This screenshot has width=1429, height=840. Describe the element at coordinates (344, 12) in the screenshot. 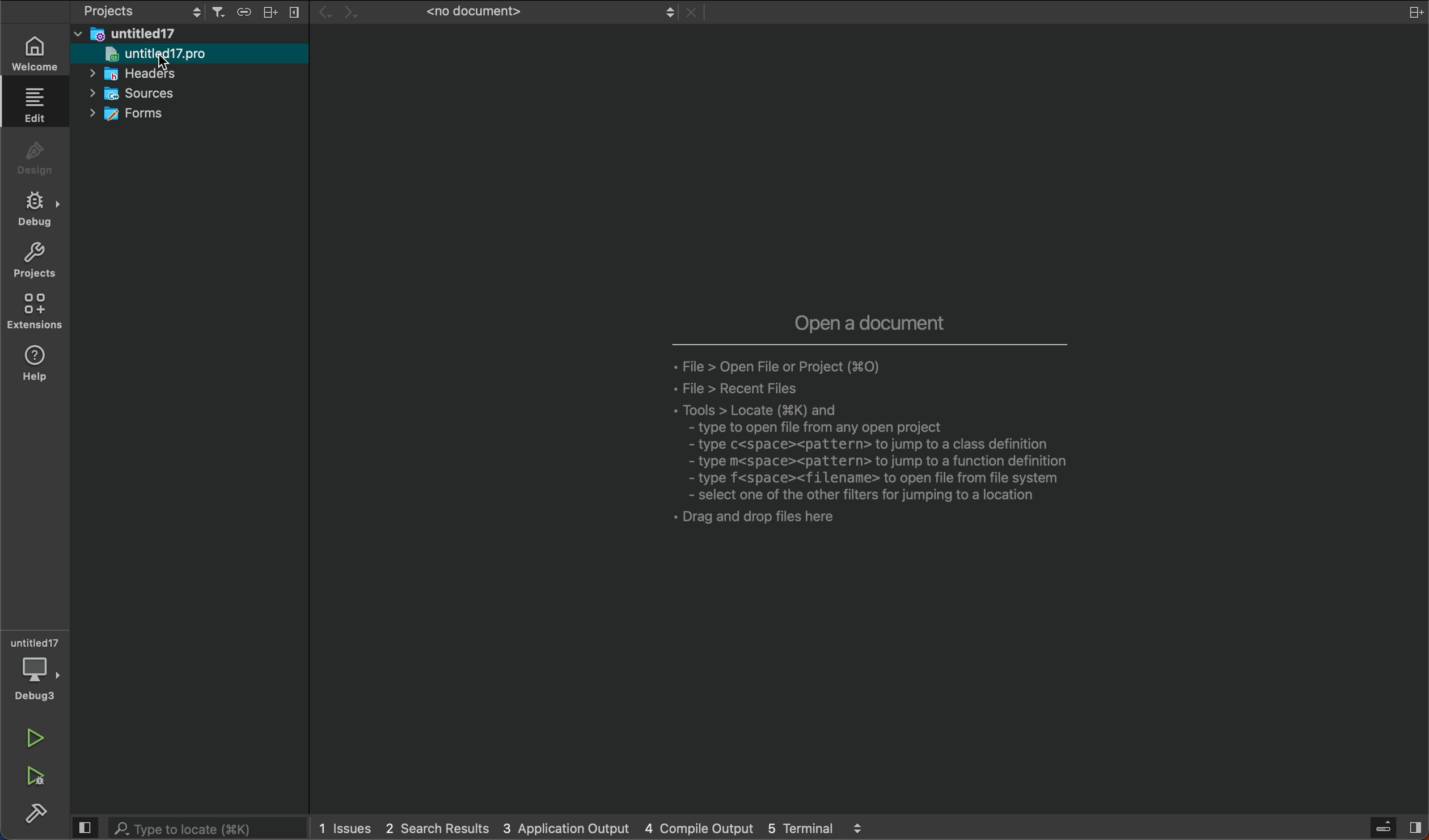

I see `arrows` at that location.